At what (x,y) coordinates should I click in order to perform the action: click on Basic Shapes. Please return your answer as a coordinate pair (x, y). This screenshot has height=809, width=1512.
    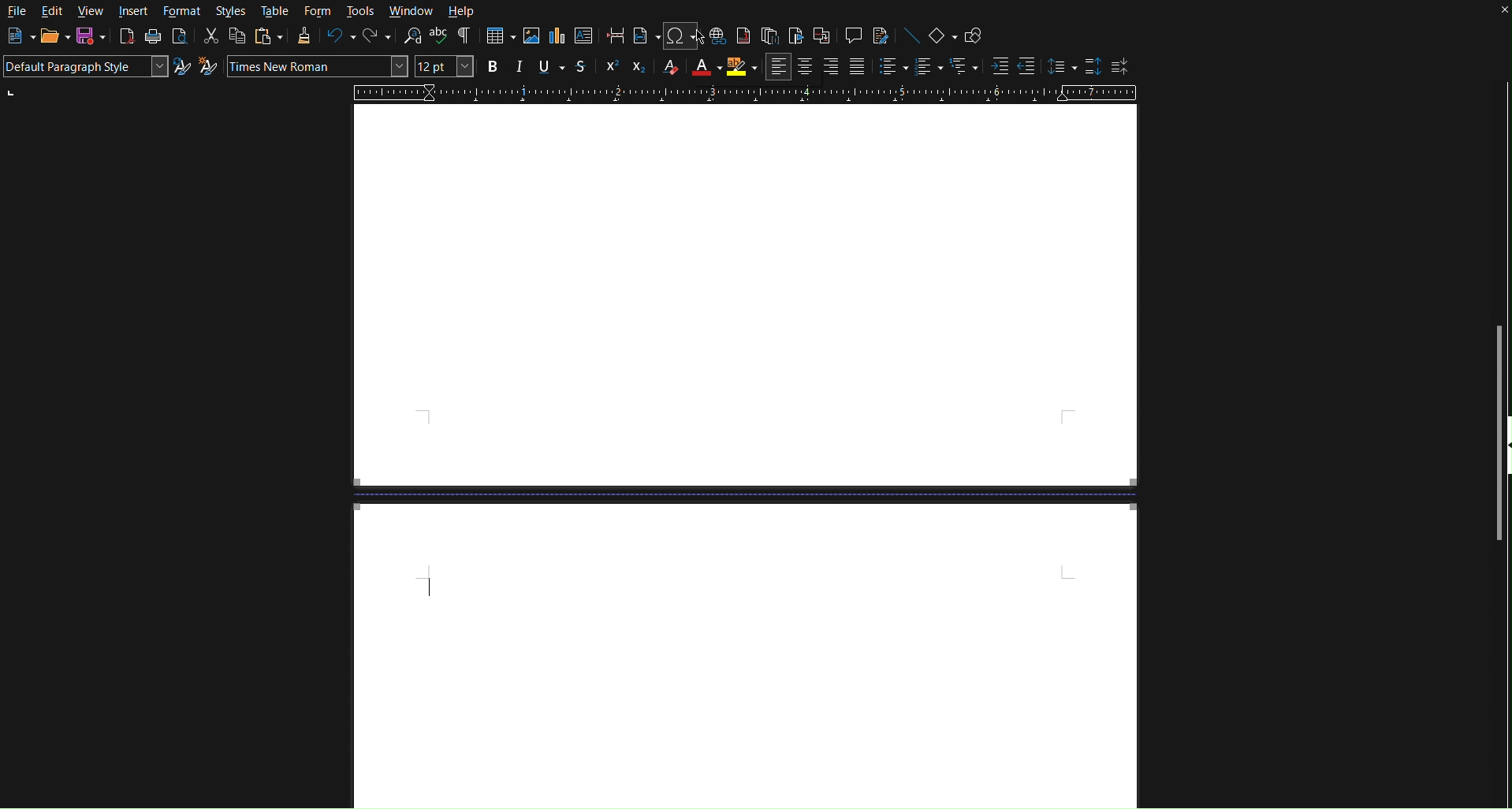
    Looking at the image, I should click on (939, 34).